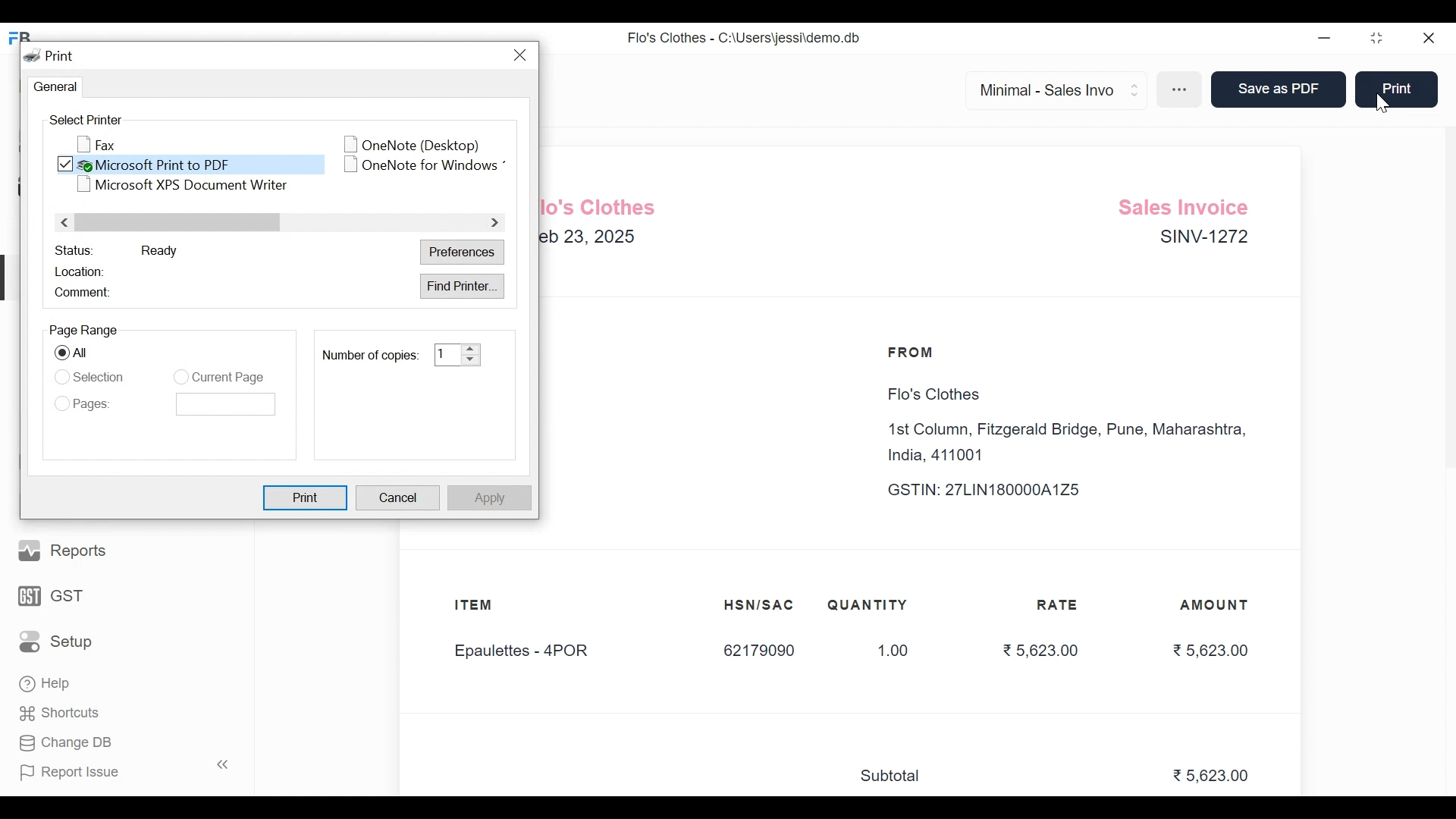 This screenshot has width=1456, height=819. I want to click on Epaulettes - 4POR, so click(530, 652).